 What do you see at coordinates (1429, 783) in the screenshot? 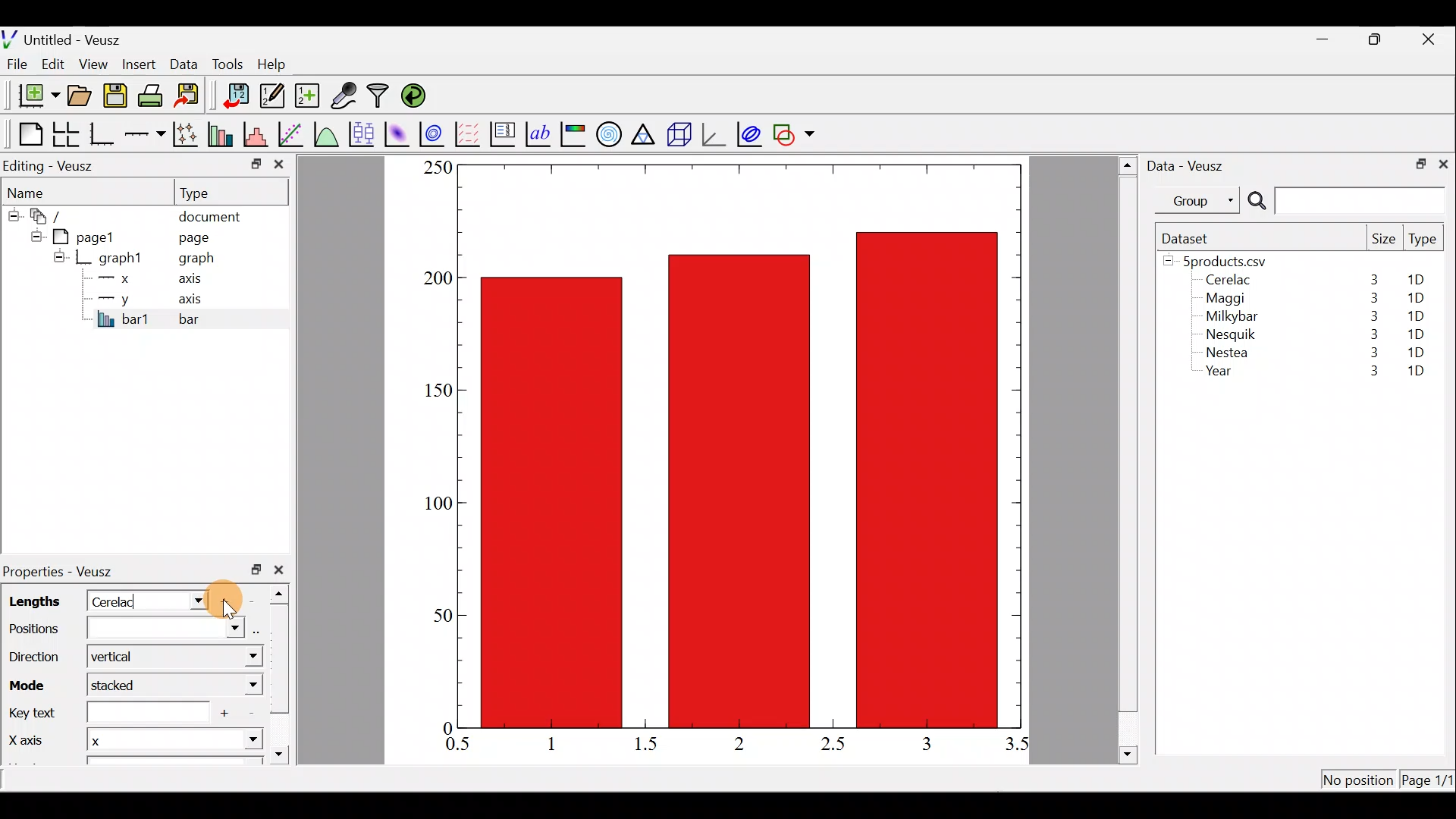
I see `Page 1/11` at bounding box center [1429, 783].